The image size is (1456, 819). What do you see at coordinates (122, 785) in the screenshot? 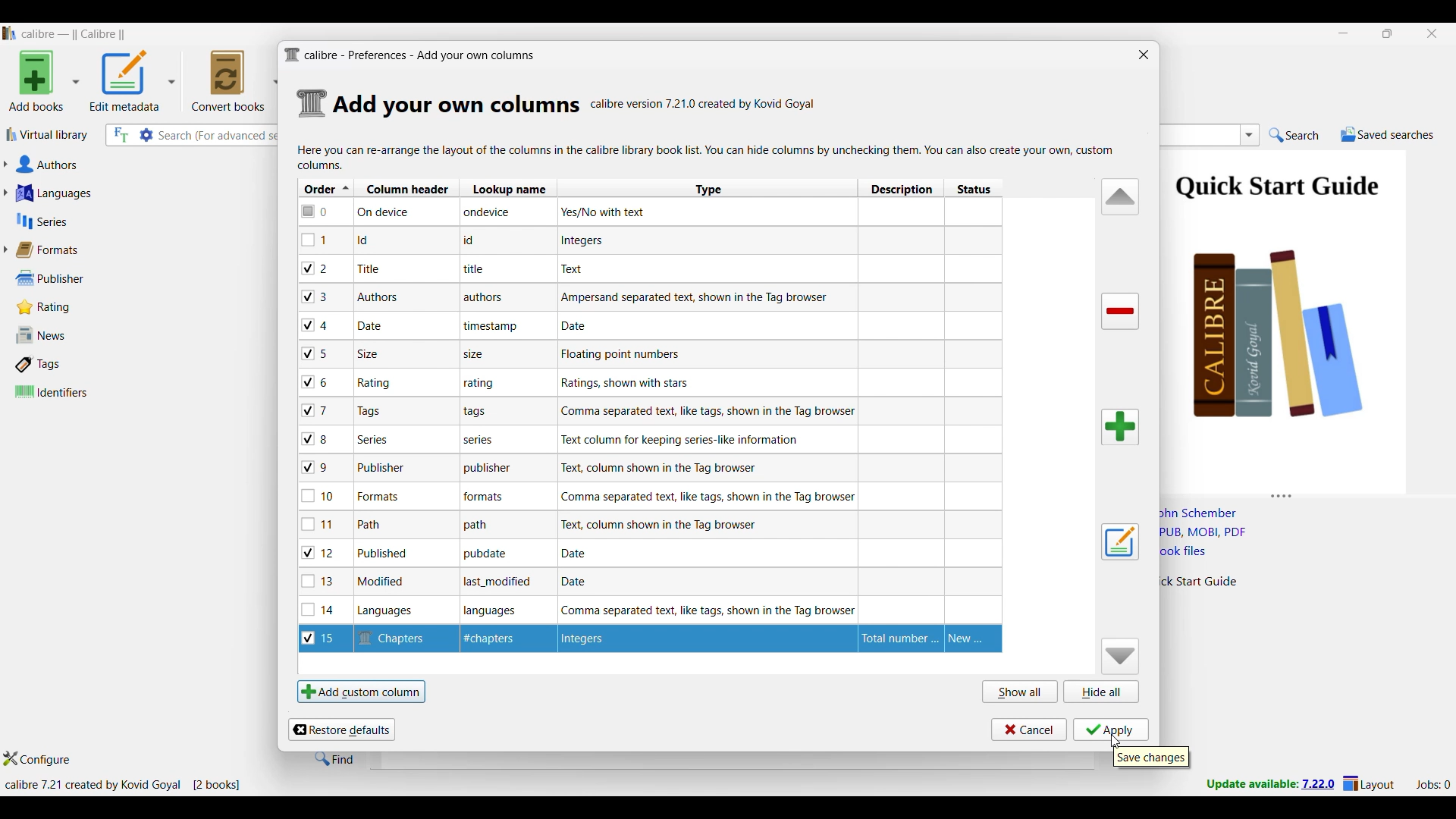
I see `Current details of software` at bounding box center [122, 785].